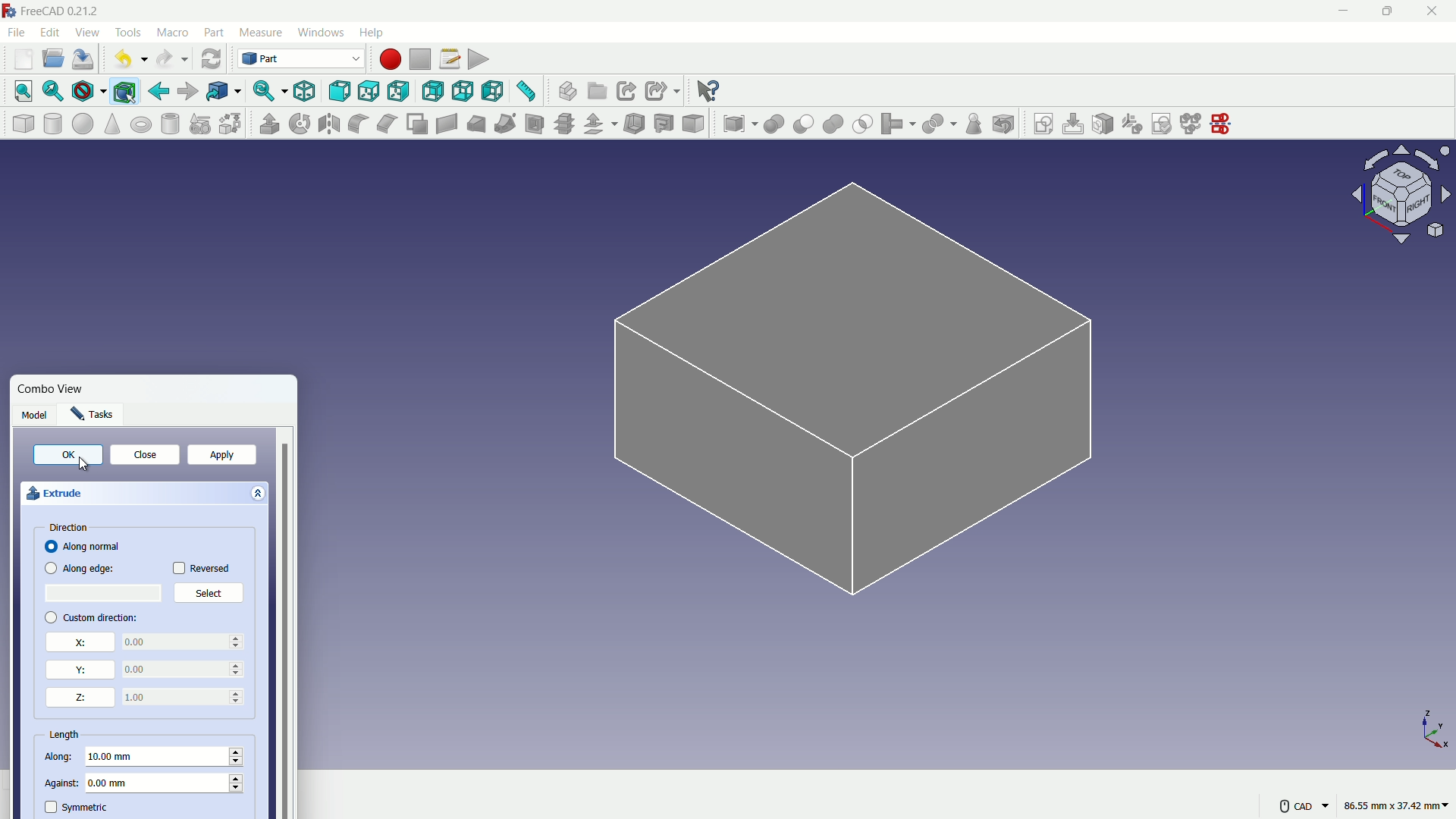 The width and height of the screenshot is (1456, 819). I want to click on checkbox, so click(50, 547).